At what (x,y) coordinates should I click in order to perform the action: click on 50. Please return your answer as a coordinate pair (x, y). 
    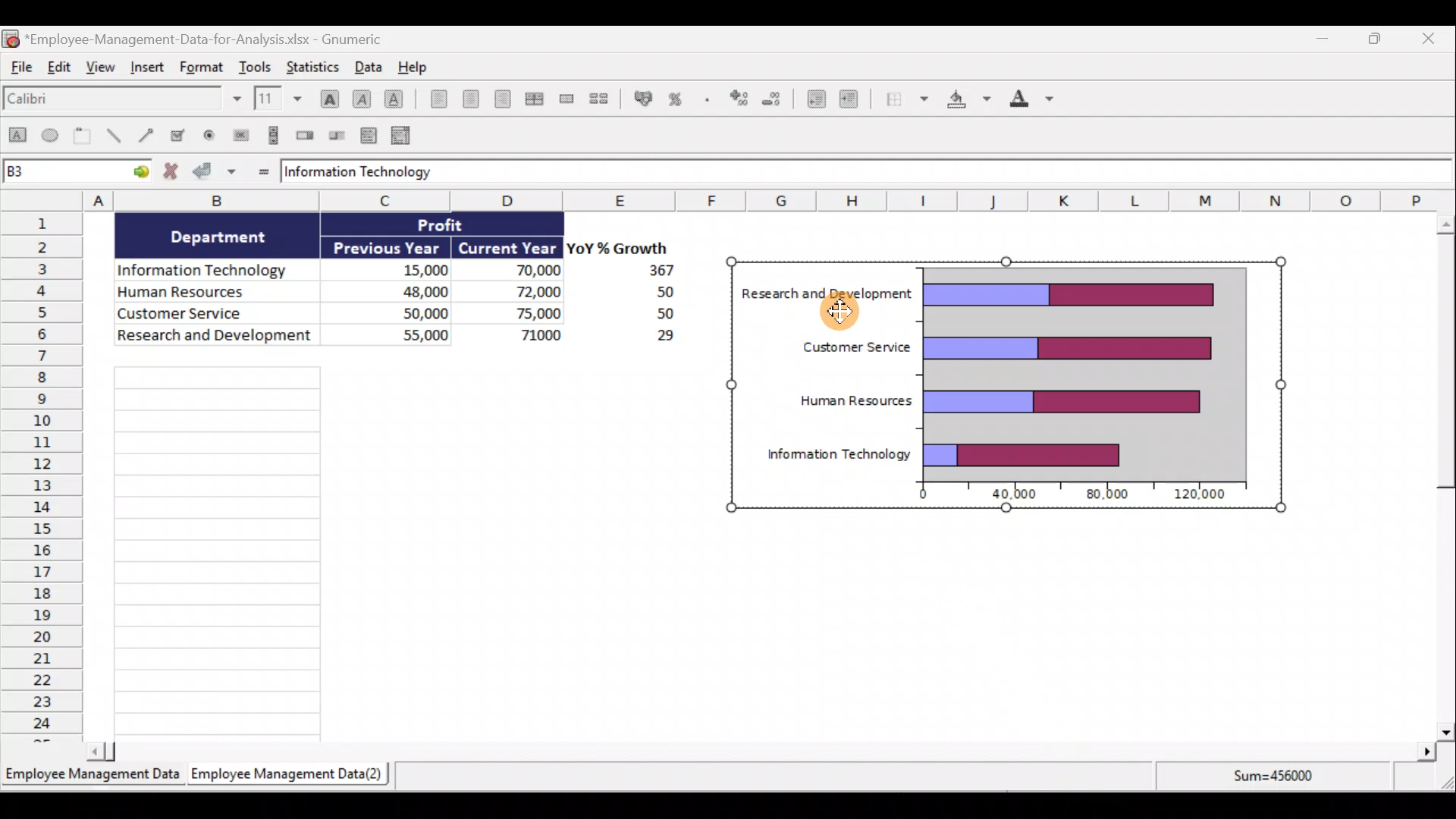
    Looking at the image, I should click on (645, 293).